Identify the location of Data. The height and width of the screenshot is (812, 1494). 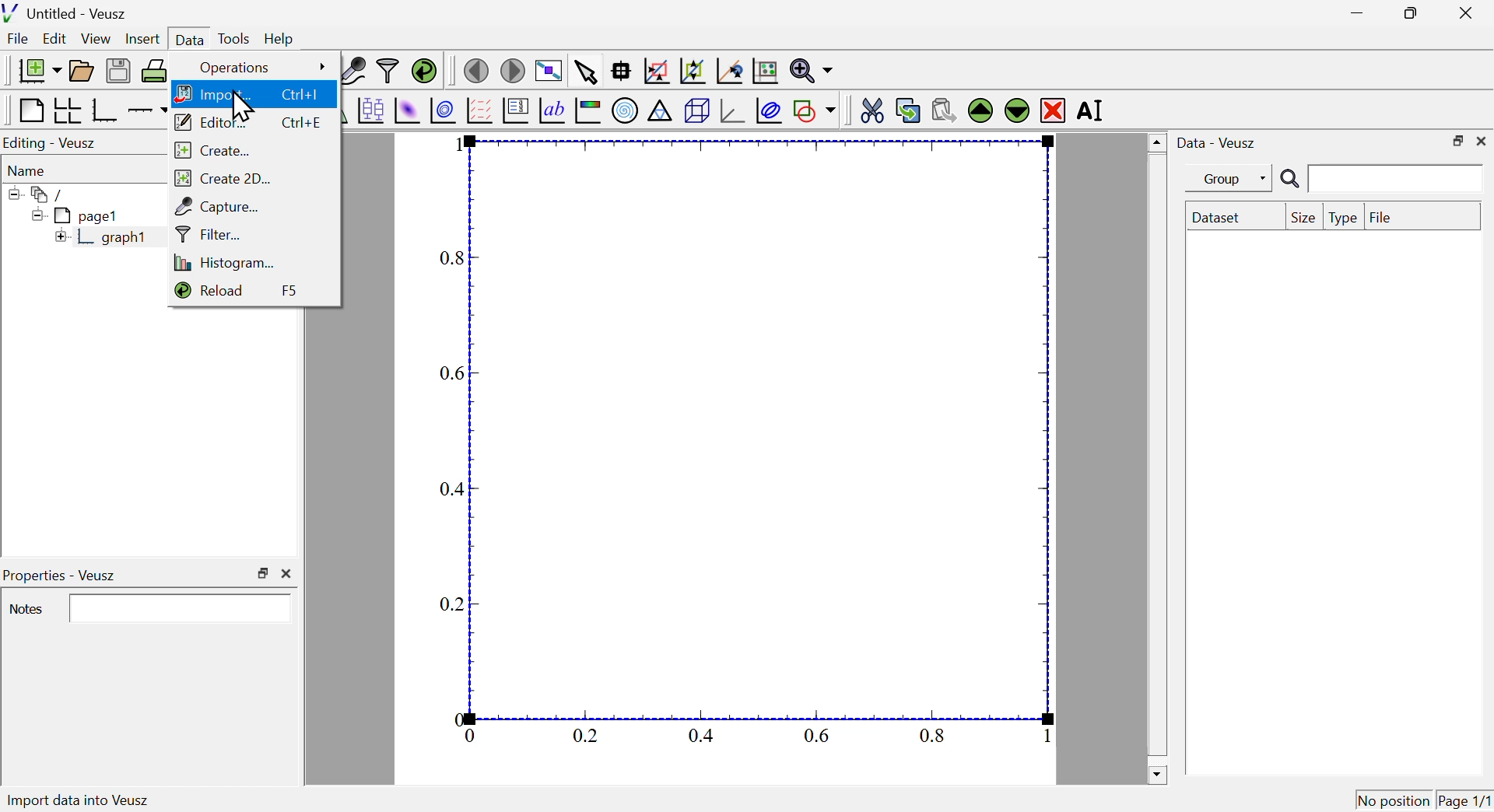
(189, 37).